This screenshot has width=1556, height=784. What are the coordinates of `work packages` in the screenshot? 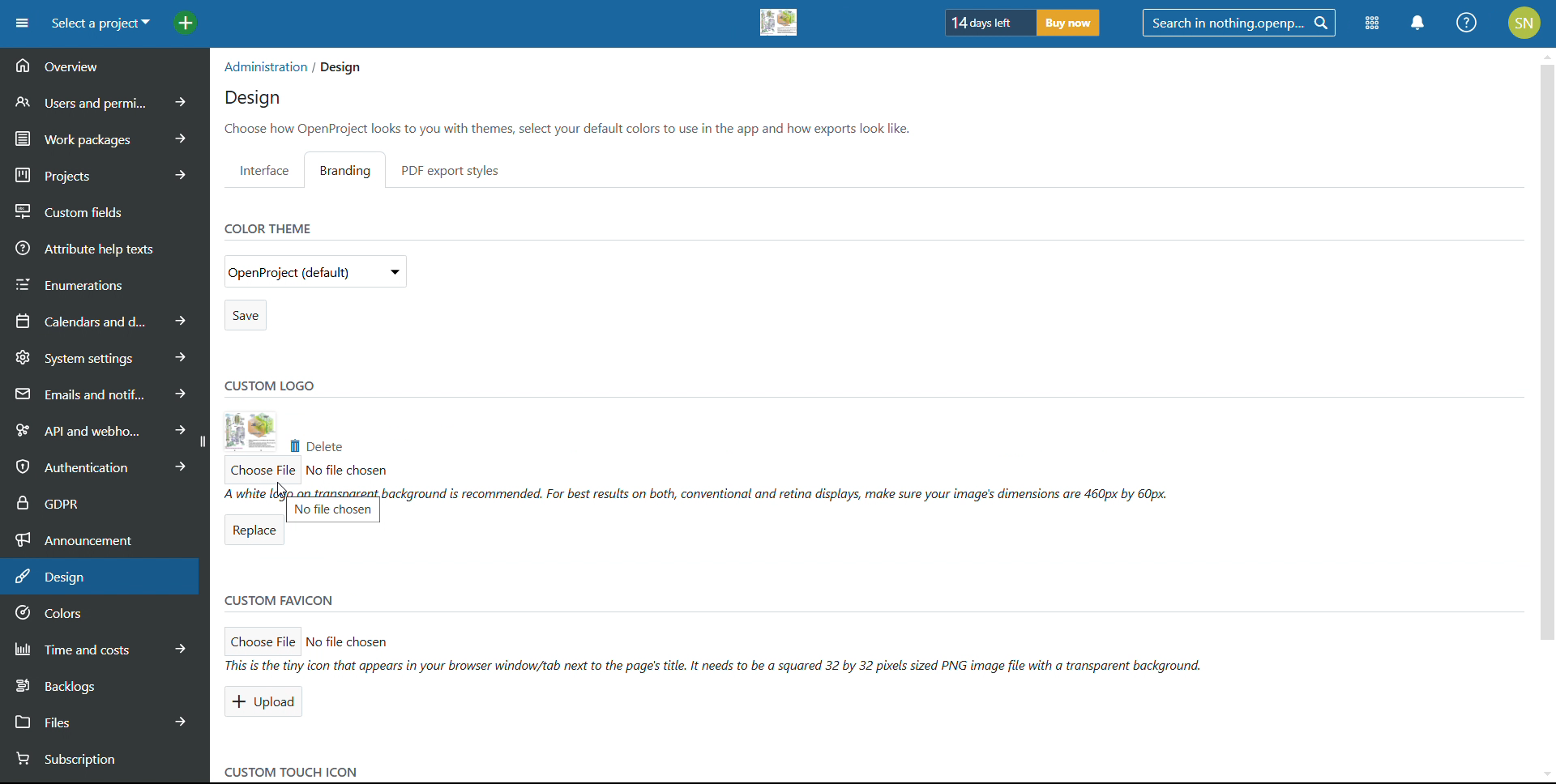 It's located at (105, 136).